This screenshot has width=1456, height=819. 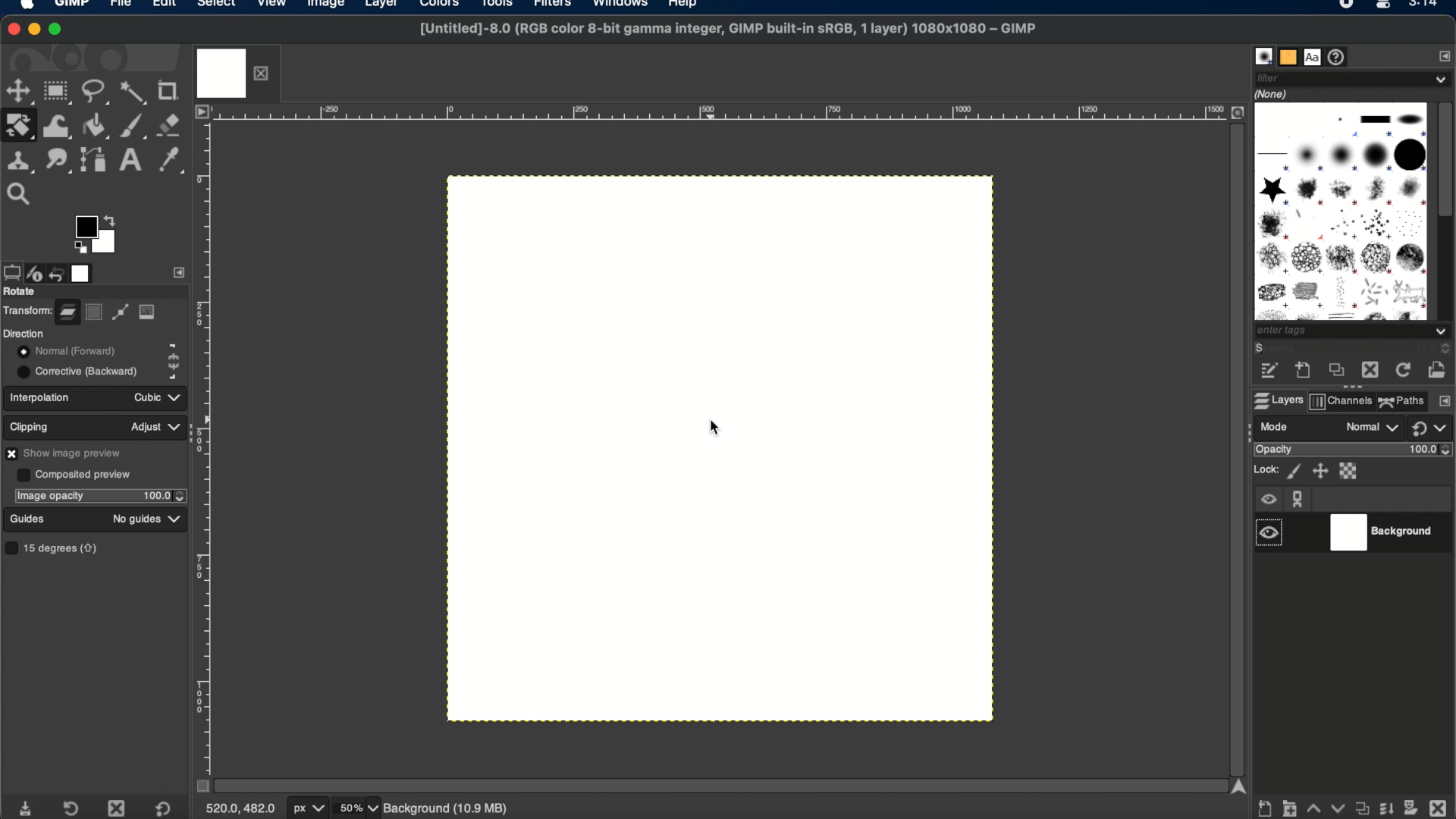 What do you see at coordinates (1276, 400) in the screenshot?
I see `layers` at bounding box center [1276, 400].